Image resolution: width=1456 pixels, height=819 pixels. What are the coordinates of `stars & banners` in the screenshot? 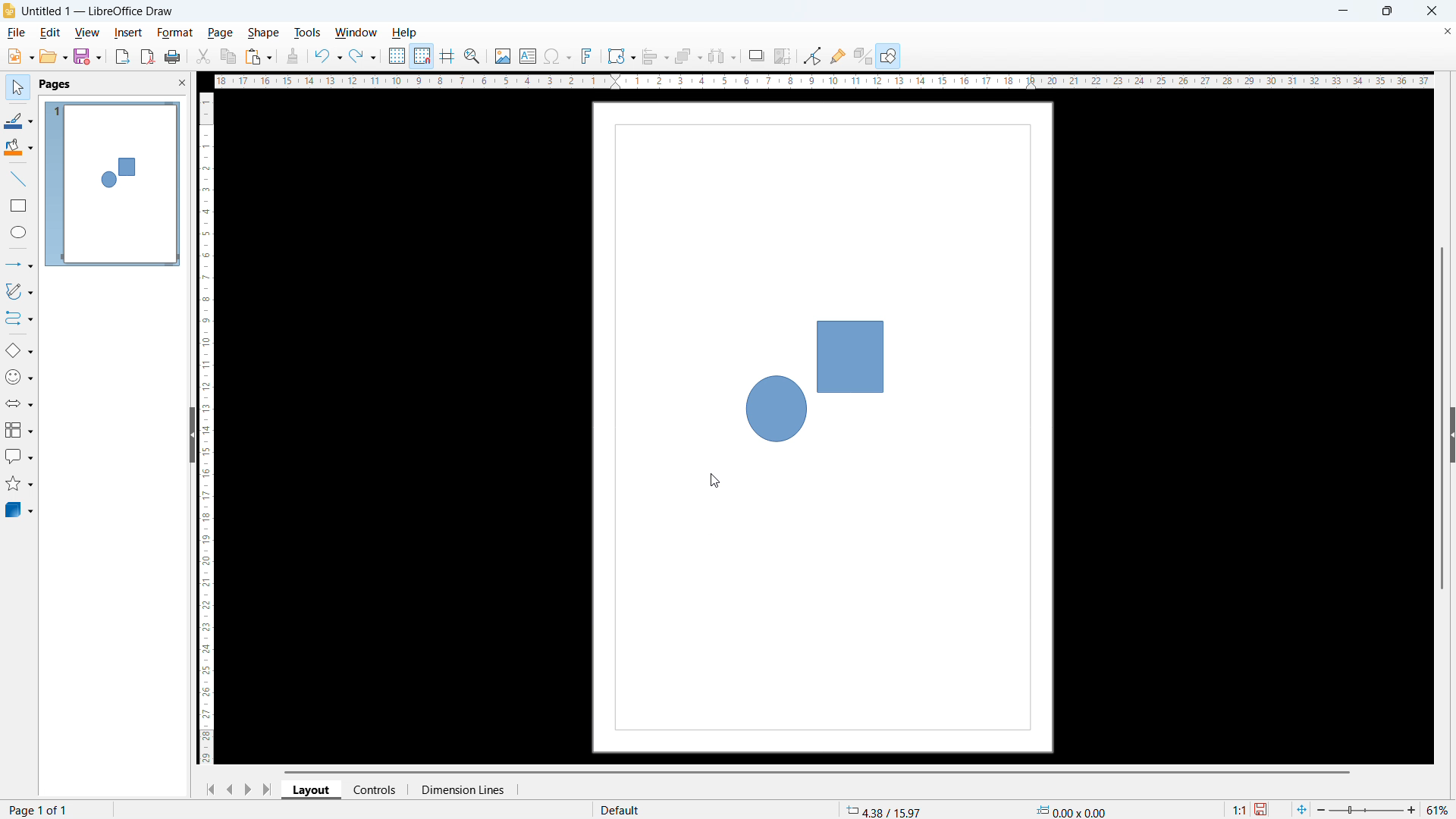 It's located at (20, 485).